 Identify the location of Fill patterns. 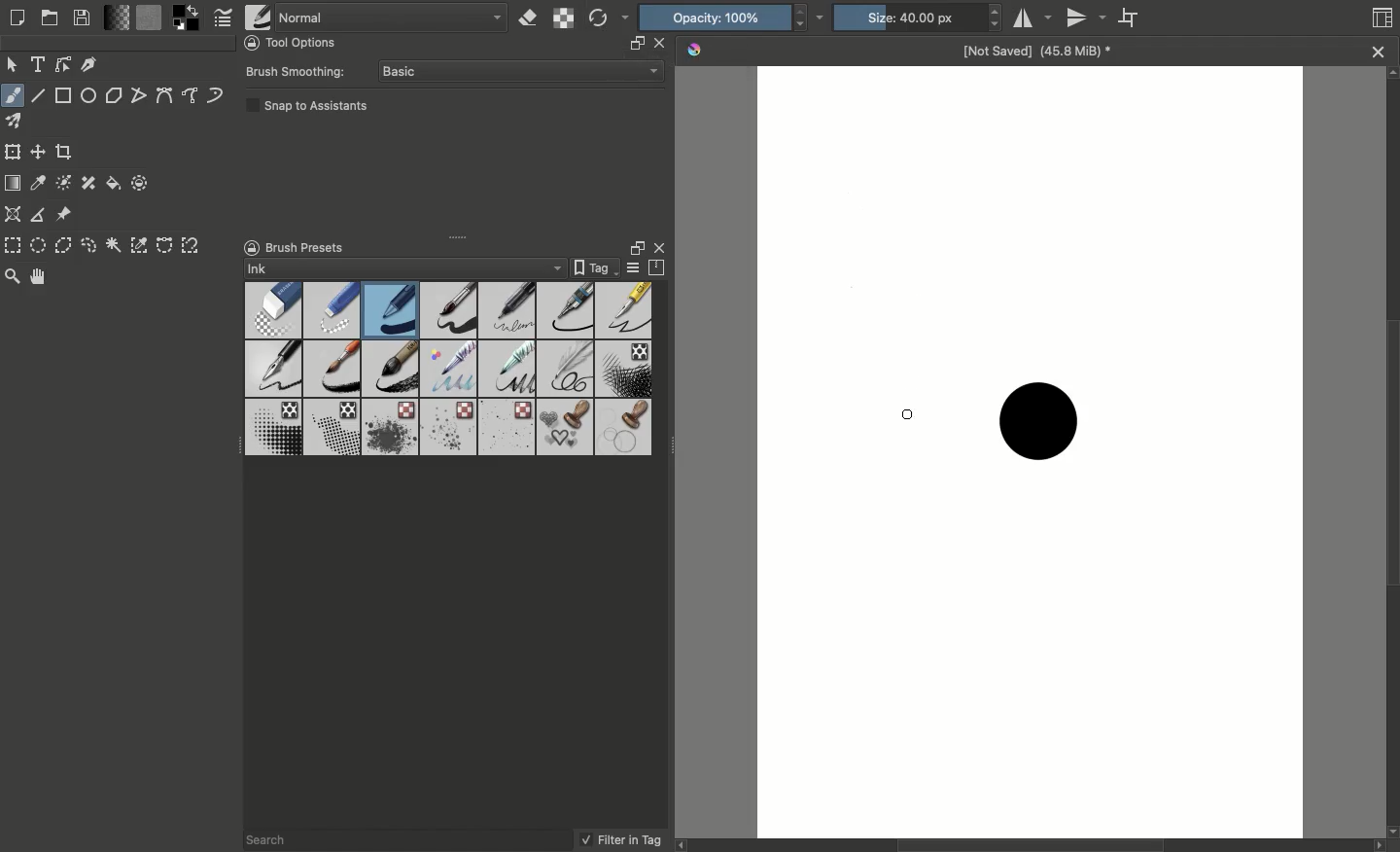
(151, 20).